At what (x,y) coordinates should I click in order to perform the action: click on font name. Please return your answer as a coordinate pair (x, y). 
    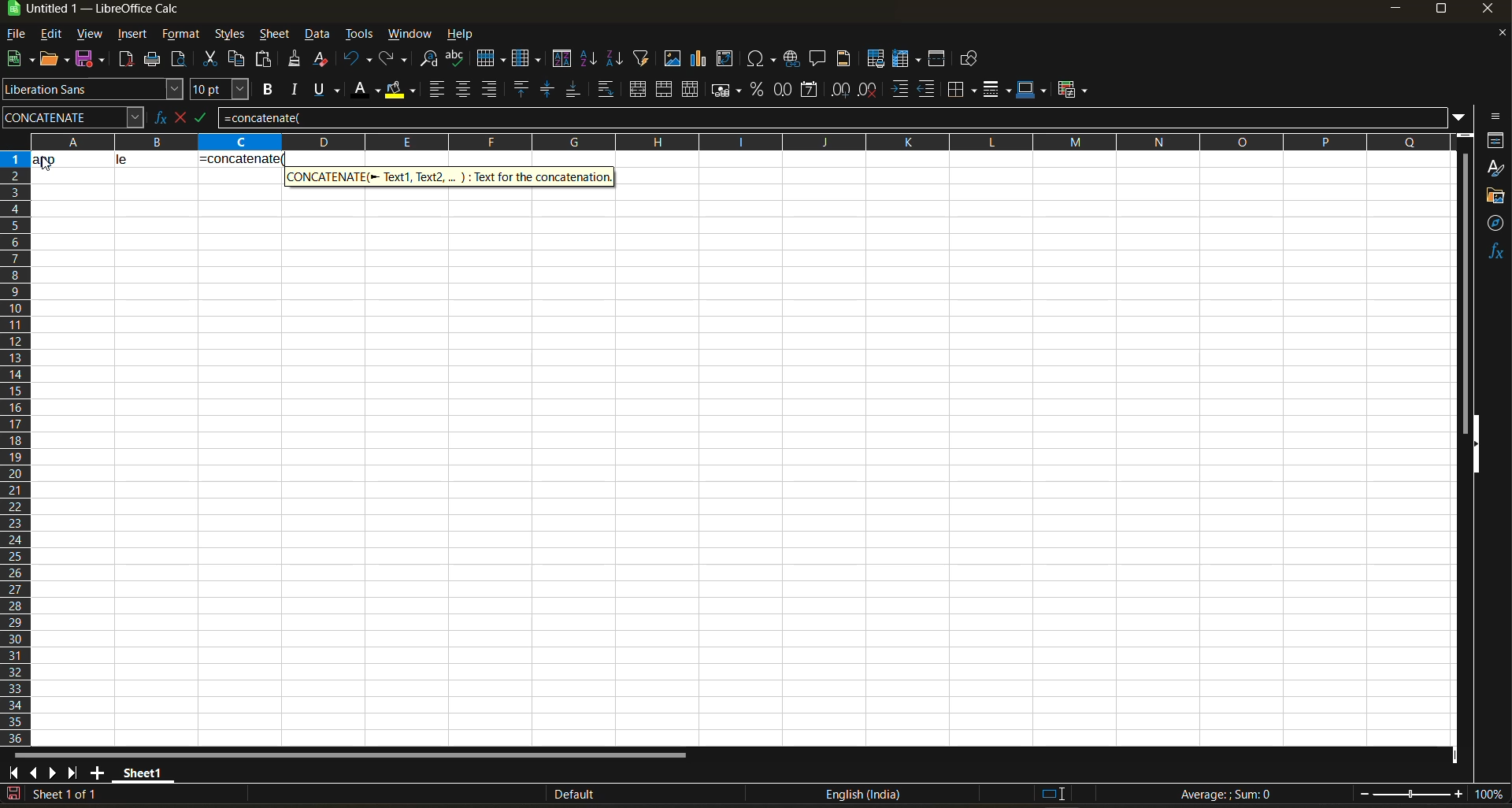
    Looking at the image, I should click on (94, 90).